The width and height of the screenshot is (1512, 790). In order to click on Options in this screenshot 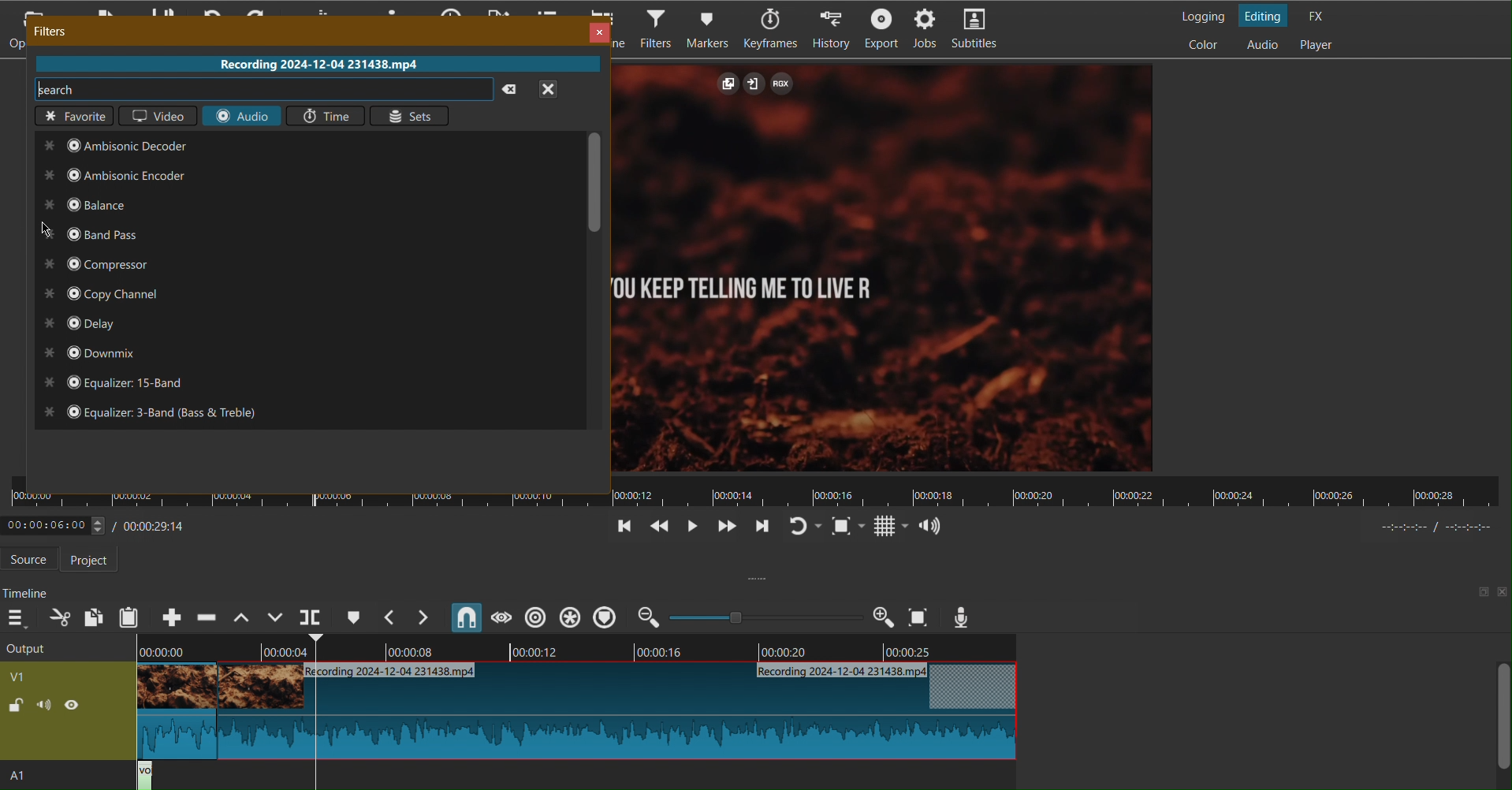, I will do `click(315, 281)`.